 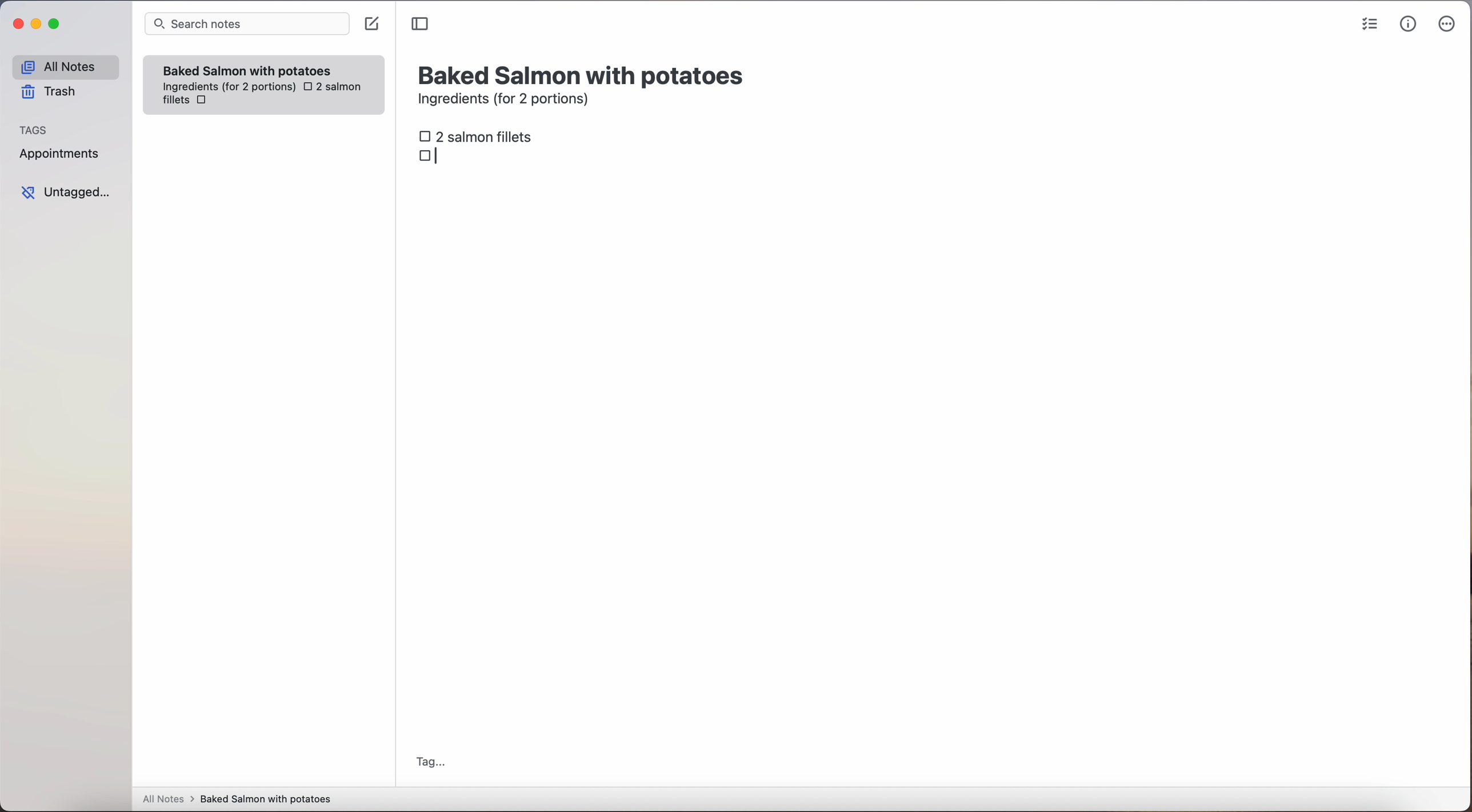 What do you see at coordinates (1449, 25) in the screenshot?
I see `more options` at bounding box center [1449, 25].